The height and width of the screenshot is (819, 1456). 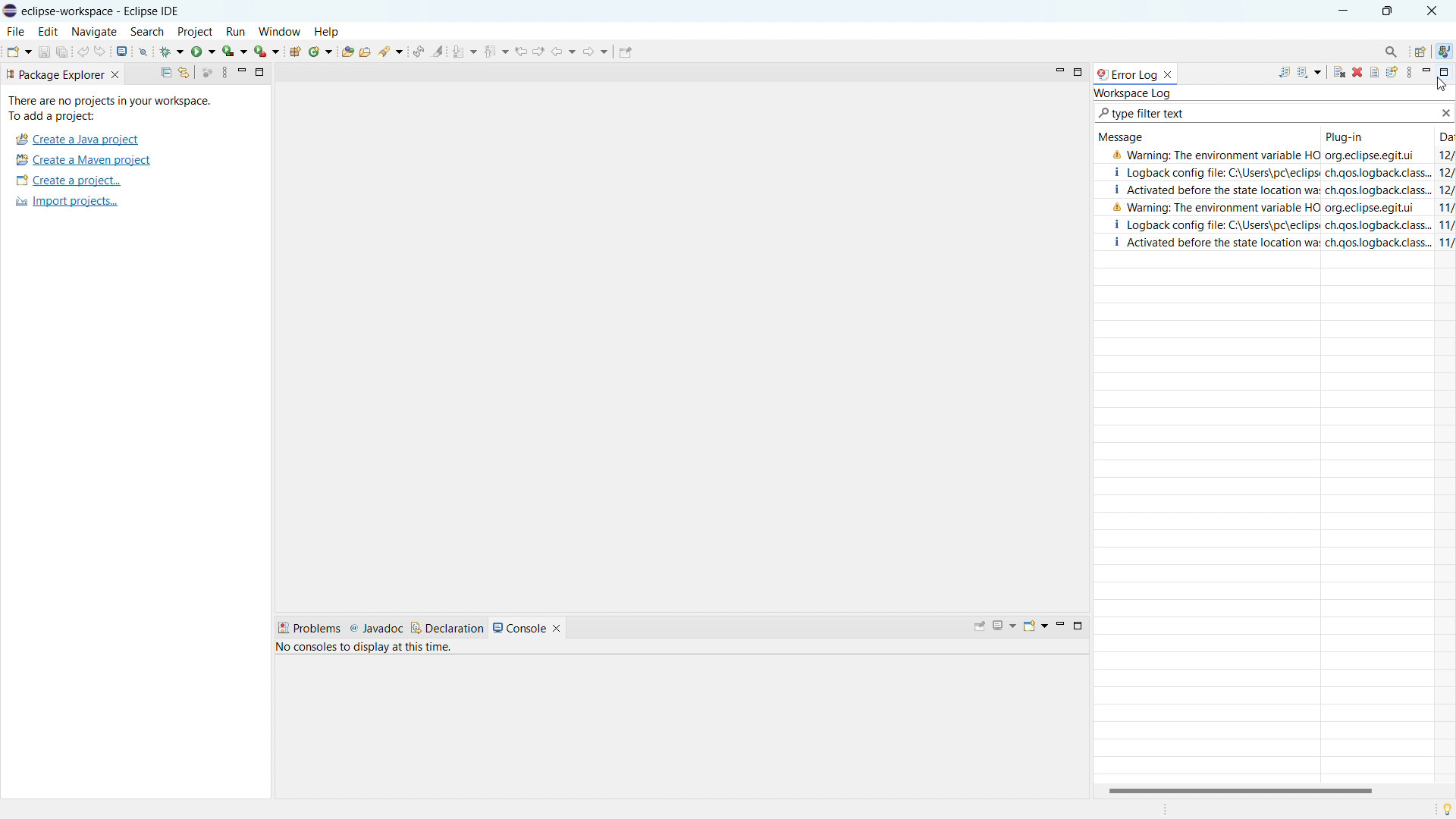 I want to click on new java class, so click(x=321, y=52).